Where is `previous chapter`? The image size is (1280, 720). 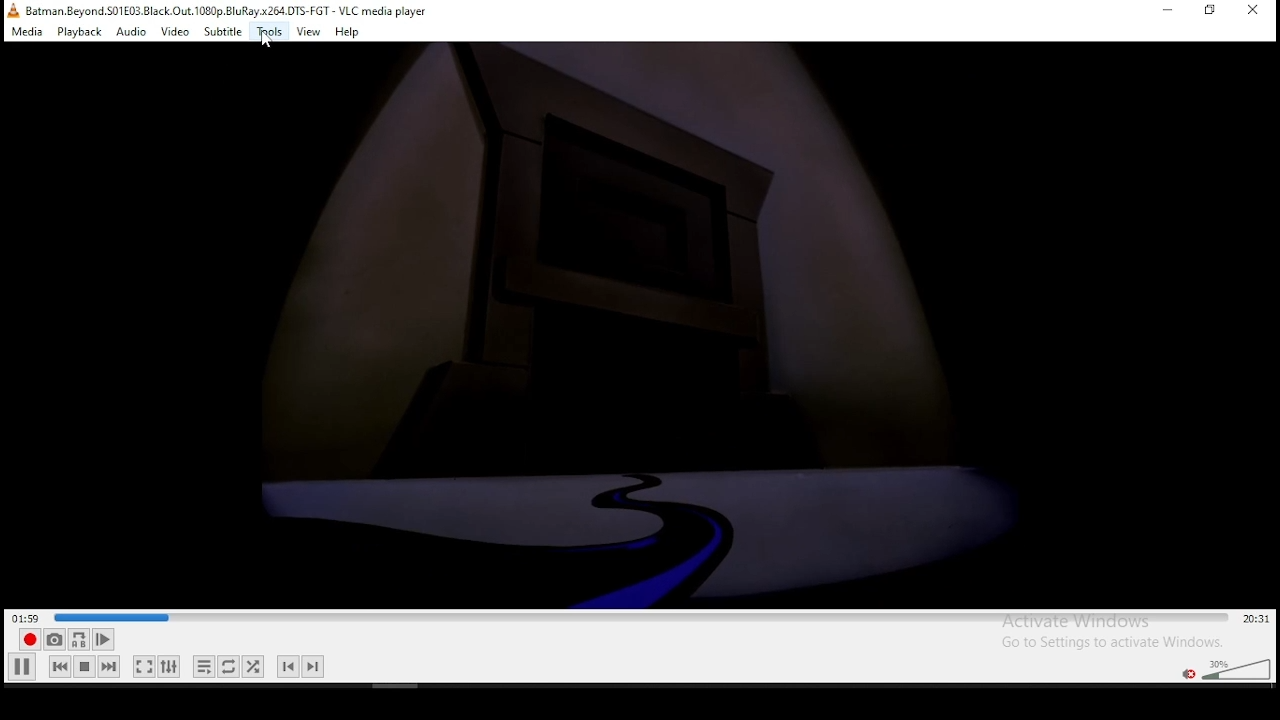 previous chapter is located at coordinates (288, 666).